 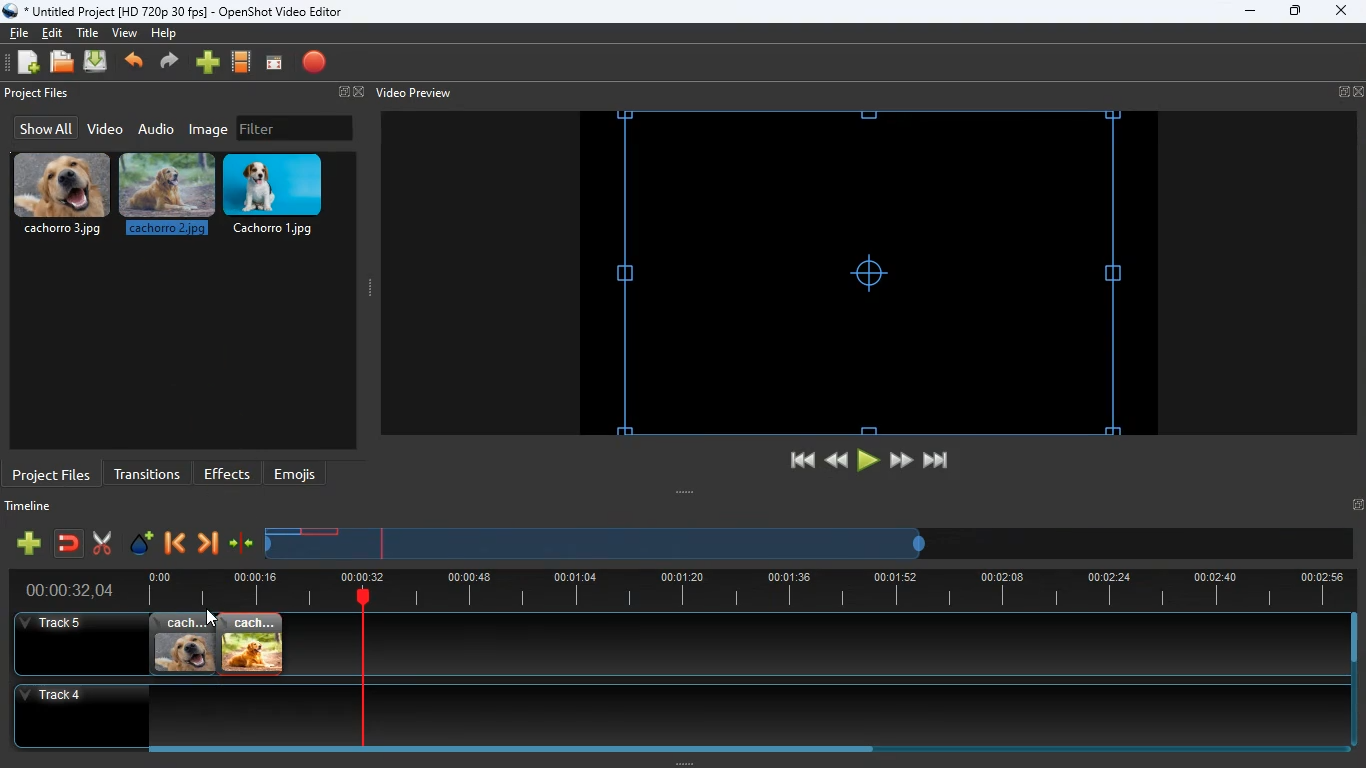 What do you see at coordinates (281, 195) in the screenshot?
I see `cachorro.1.jpg` at bounding box center [281, 195].